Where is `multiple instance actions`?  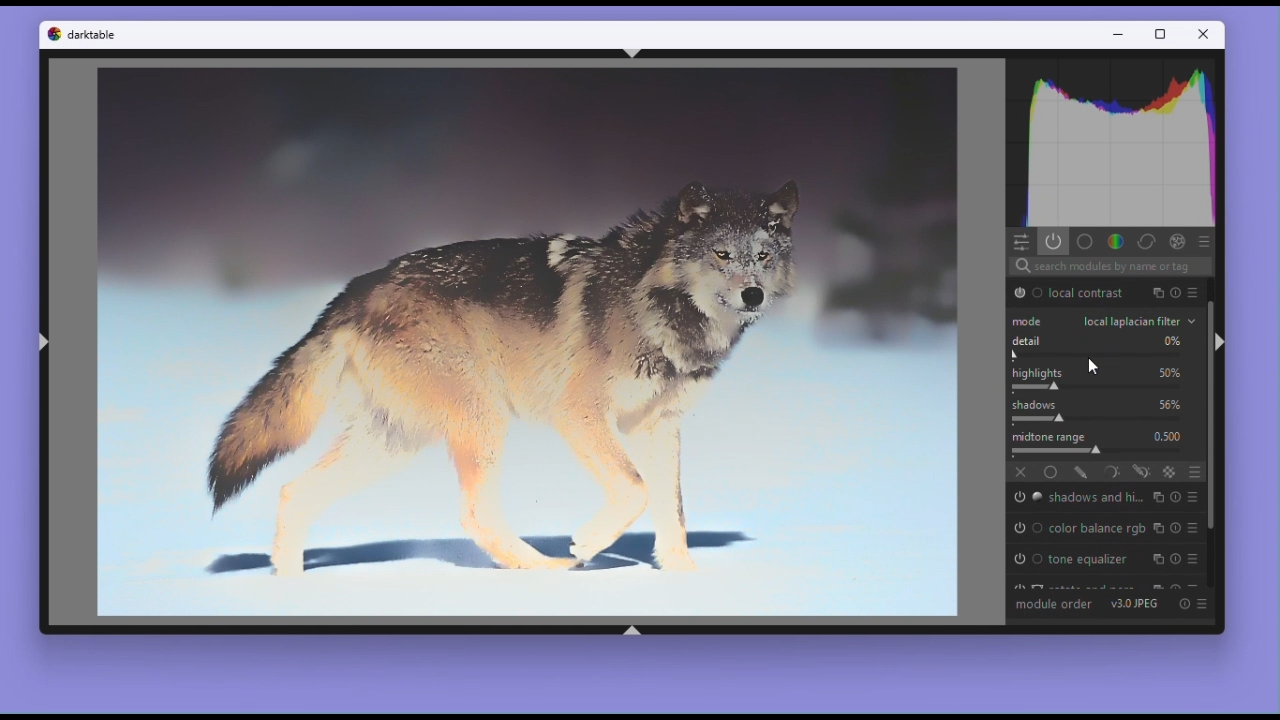 multiple instance actions is located at coordinates (1159, 293).